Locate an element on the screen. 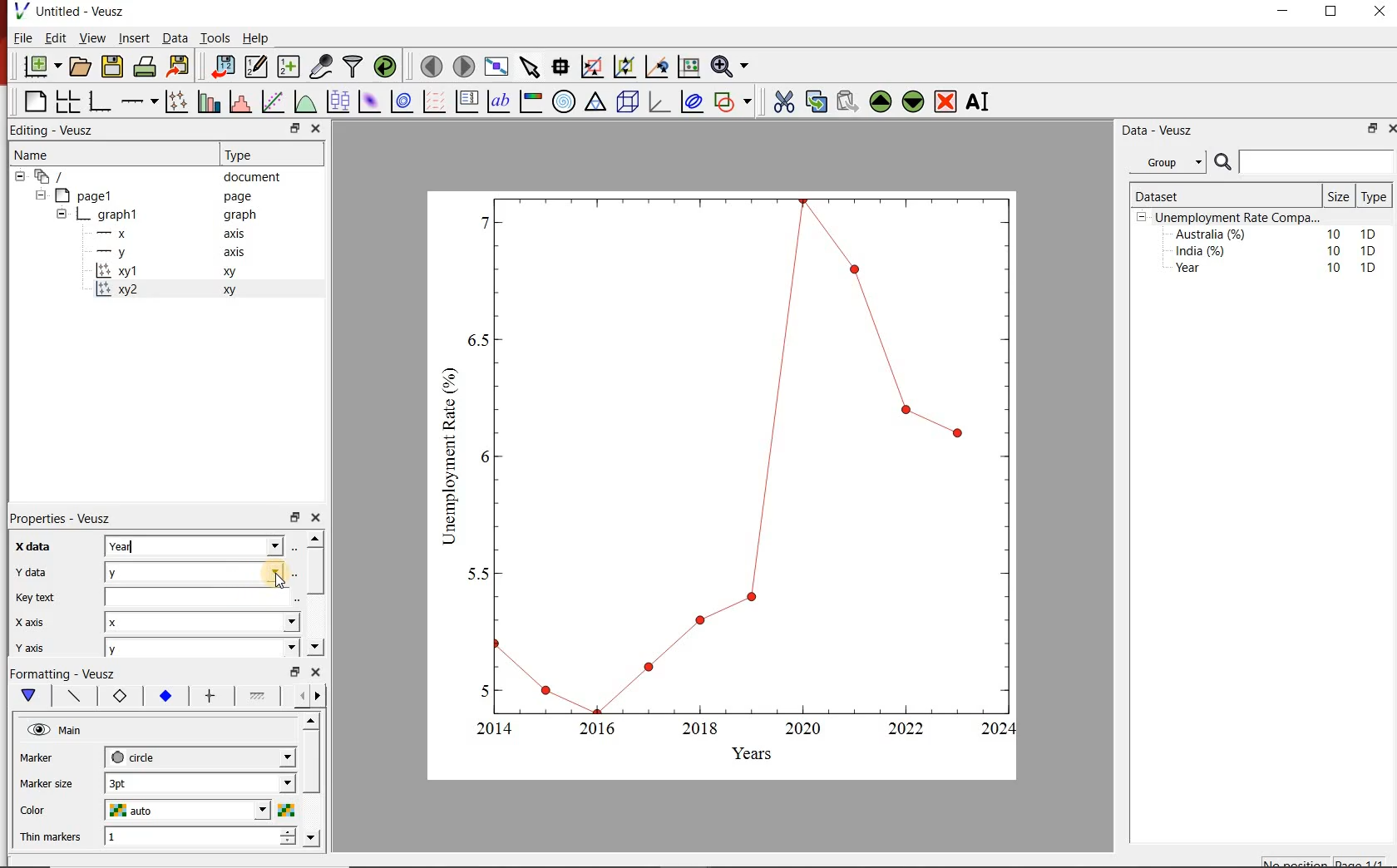 The height and width of the screenshot is (868, 1397). line 1 is located at coordinates (258, 694).